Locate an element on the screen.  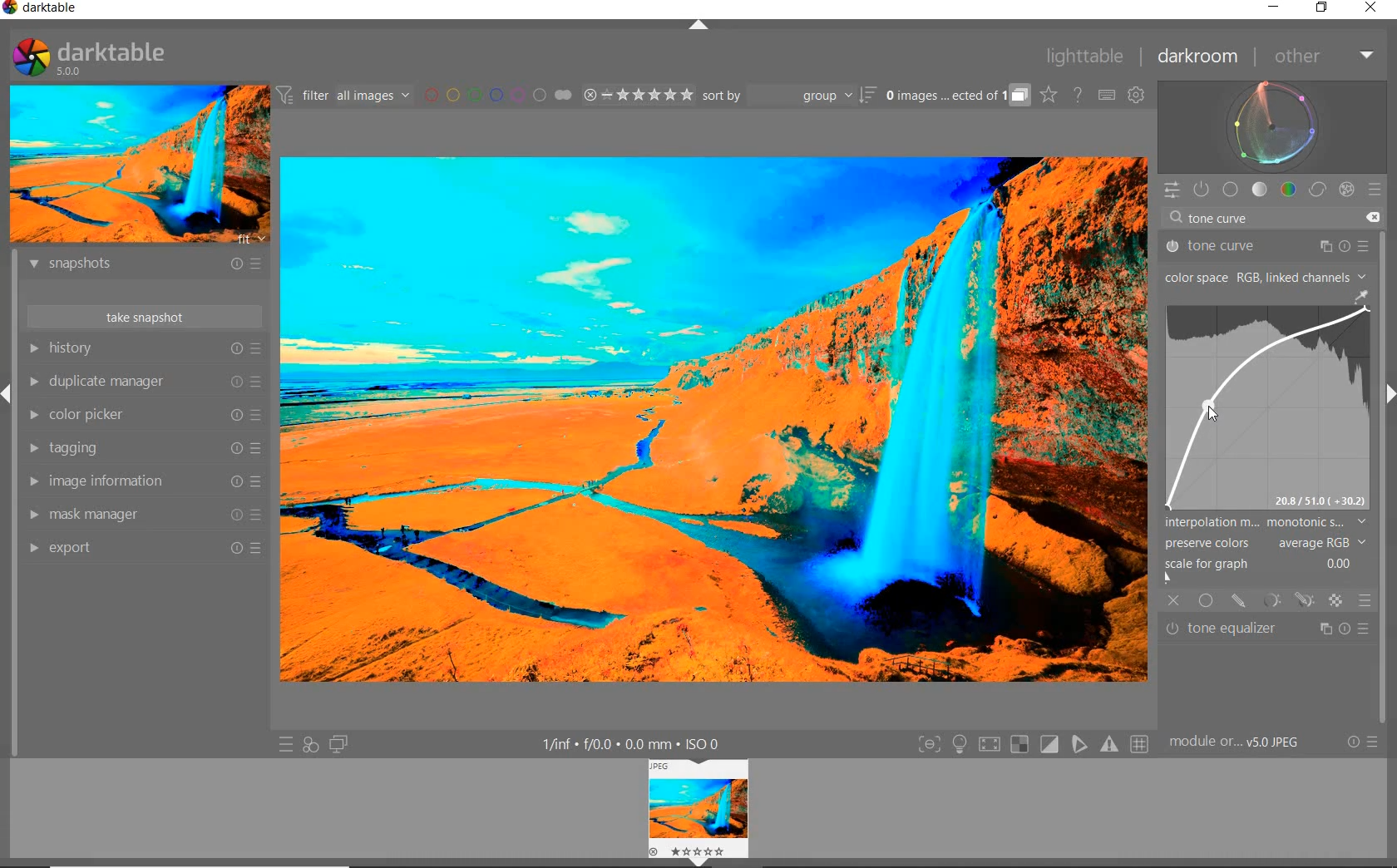
tone curve is located at coordinates (1267, 220).